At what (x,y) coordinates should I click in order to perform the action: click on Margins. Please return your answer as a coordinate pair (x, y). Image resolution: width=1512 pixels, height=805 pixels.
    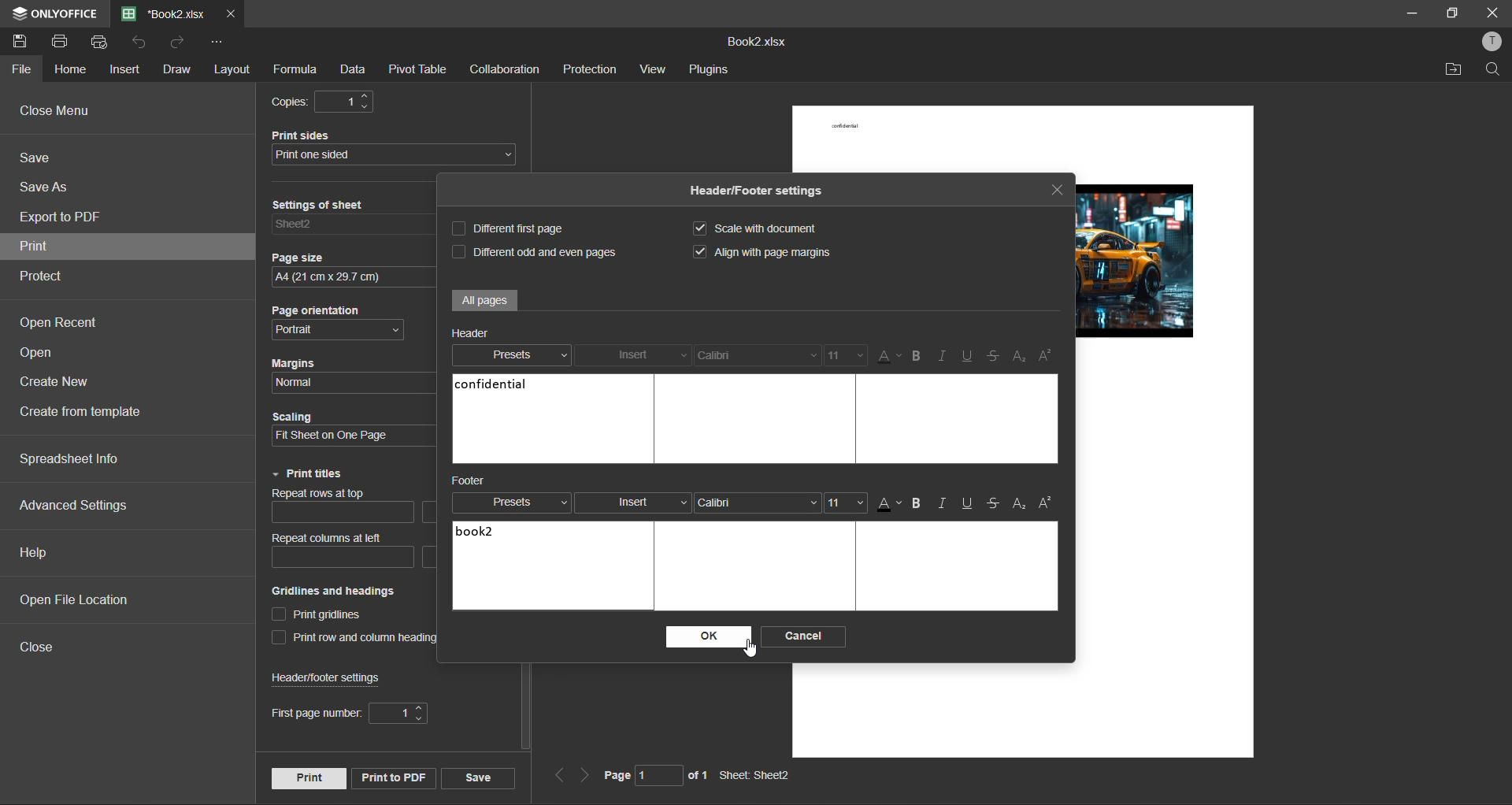
    Looking at the image, I should click on (301, 362).